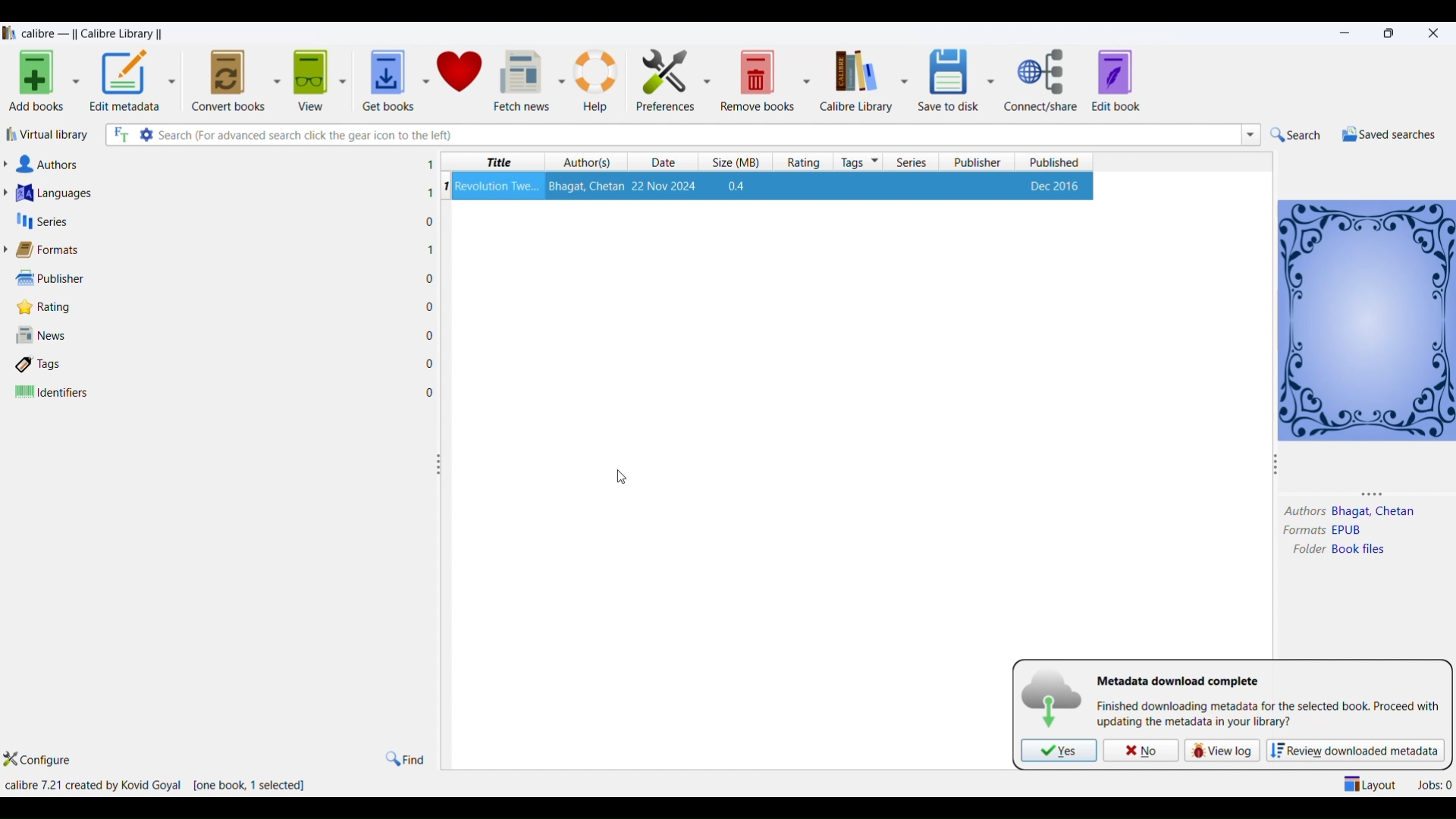 This screenshot has width=1456, height=819. Describe the element at coordinates (1434, 31) in the screenshot. I see `close` at that location.